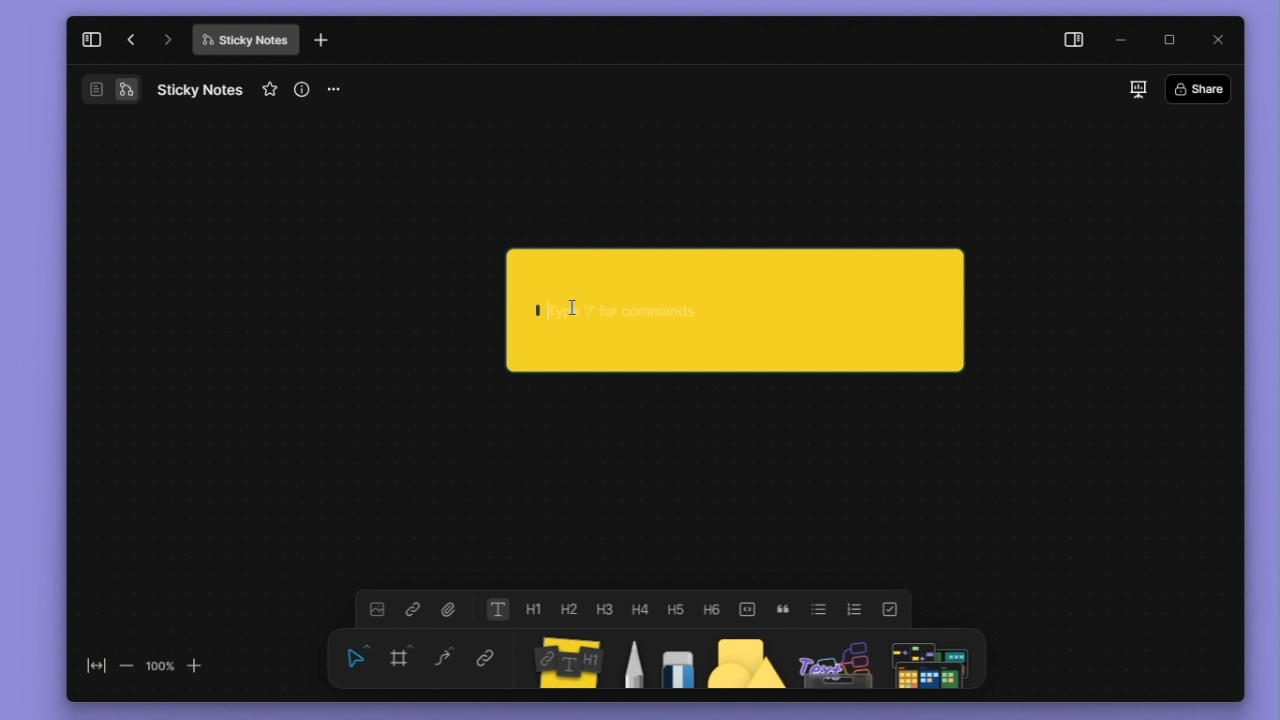  What do you see at coordinates (330, 43) in the screenshot?
I see `new tab` at bounding box center [330, 43].